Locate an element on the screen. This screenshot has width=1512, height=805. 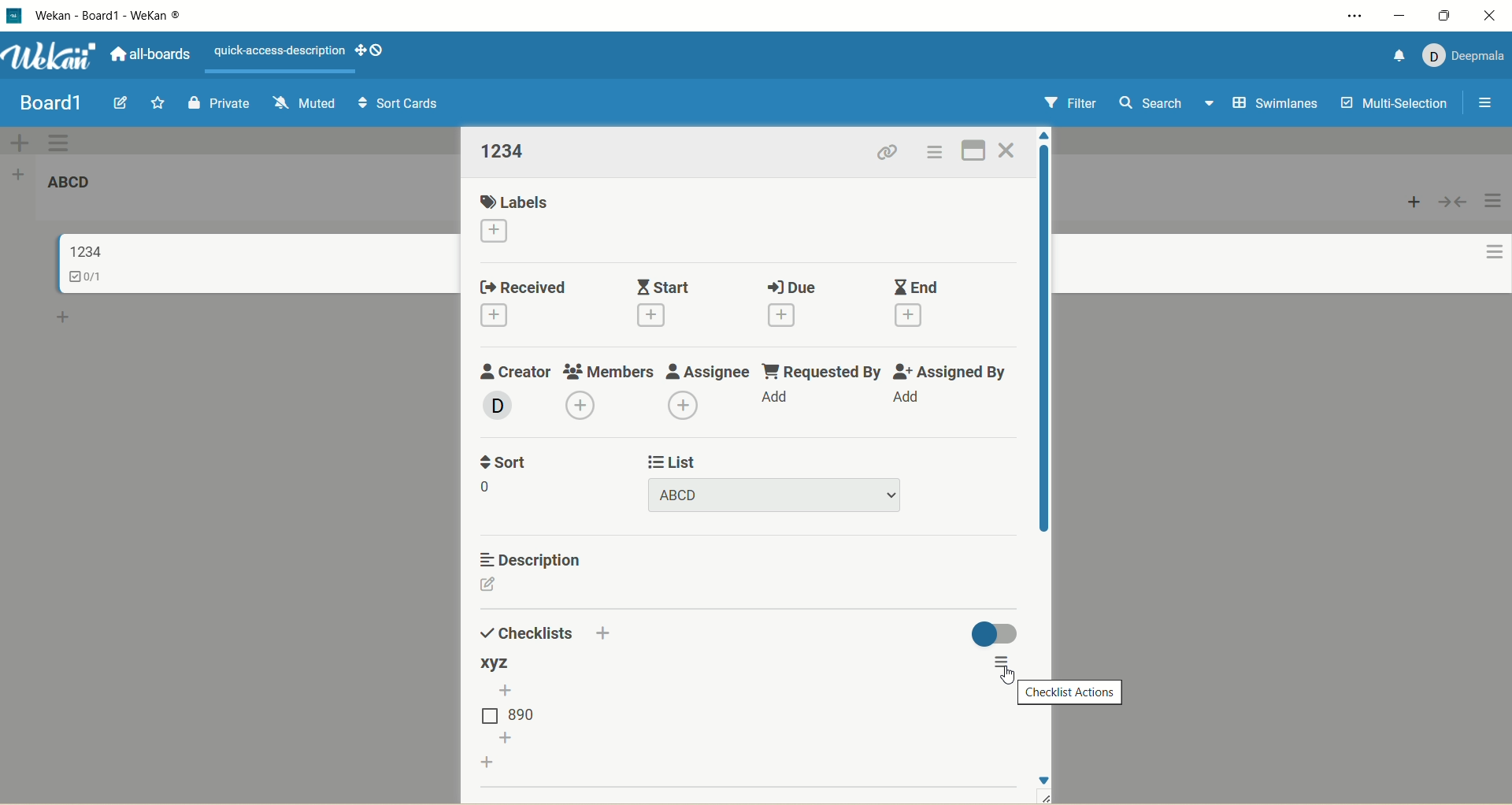
title is located at coordinates (83, 250).